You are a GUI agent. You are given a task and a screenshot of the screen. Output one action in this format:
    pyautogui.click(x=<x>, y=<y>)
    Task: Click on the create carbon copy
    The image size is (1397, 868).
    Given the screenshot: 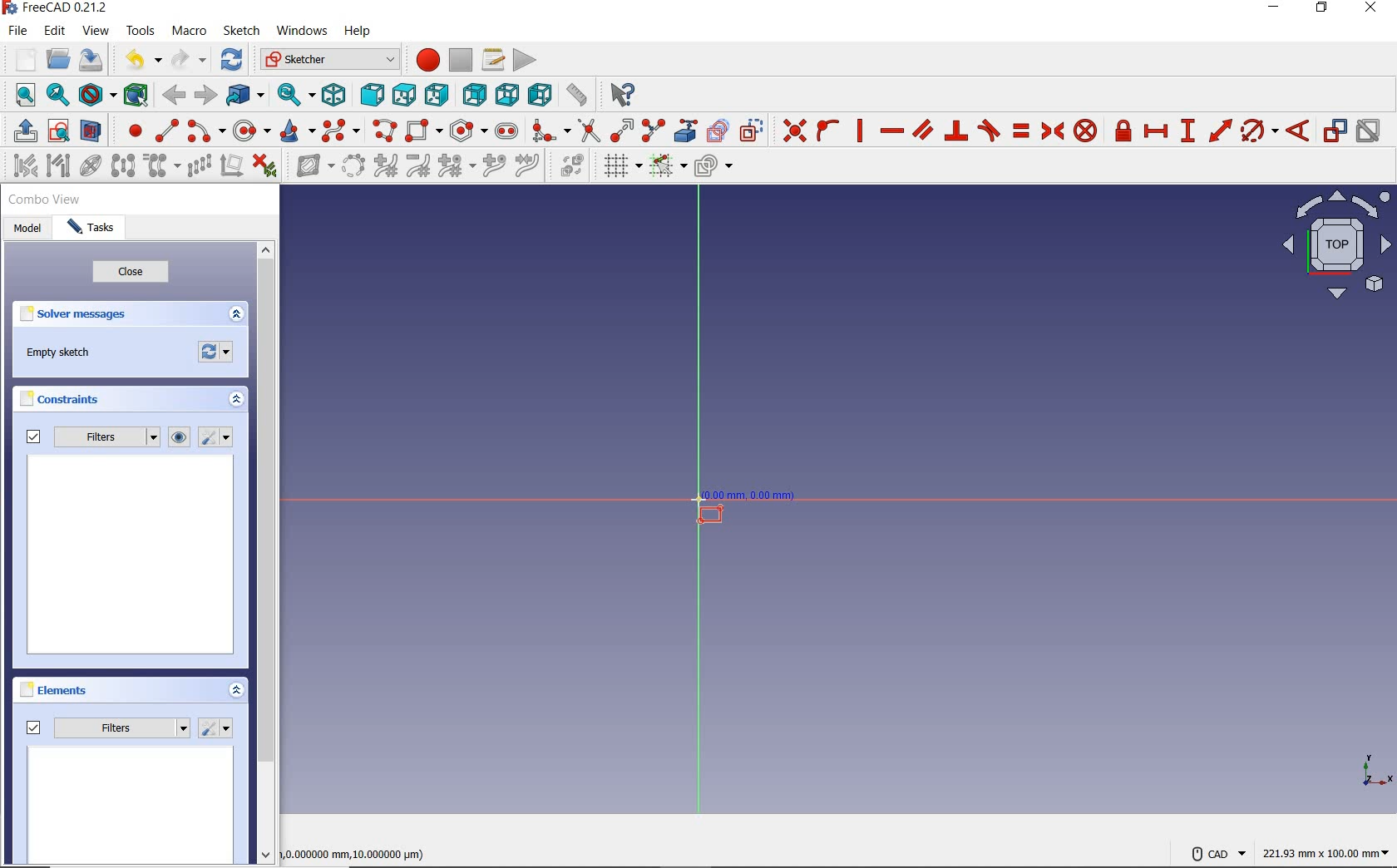 What is the action you would take?
    pyautogui.click(x=718, y=131)
    